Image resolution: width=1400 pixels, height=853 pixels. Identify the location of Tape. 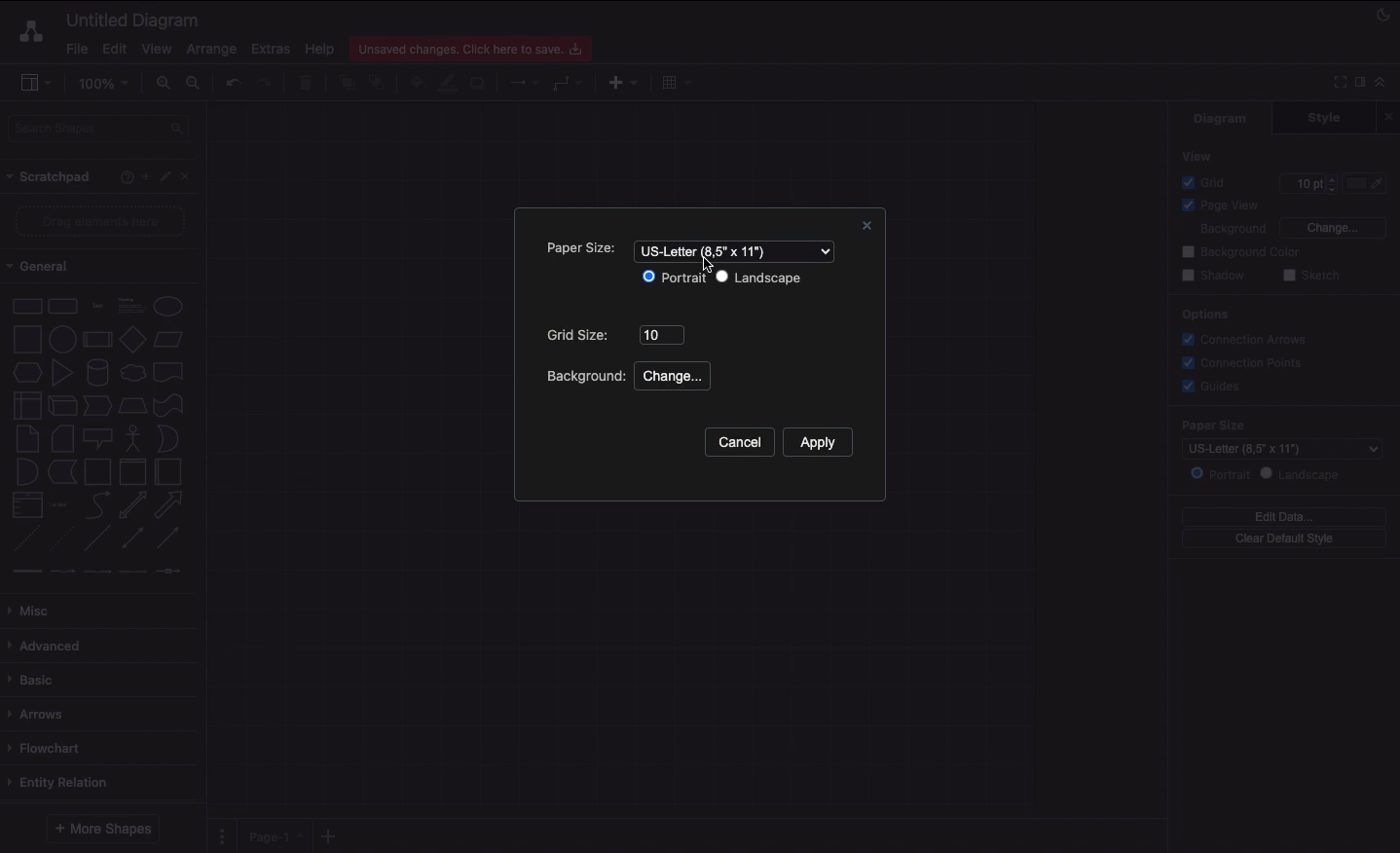
(171, 404).